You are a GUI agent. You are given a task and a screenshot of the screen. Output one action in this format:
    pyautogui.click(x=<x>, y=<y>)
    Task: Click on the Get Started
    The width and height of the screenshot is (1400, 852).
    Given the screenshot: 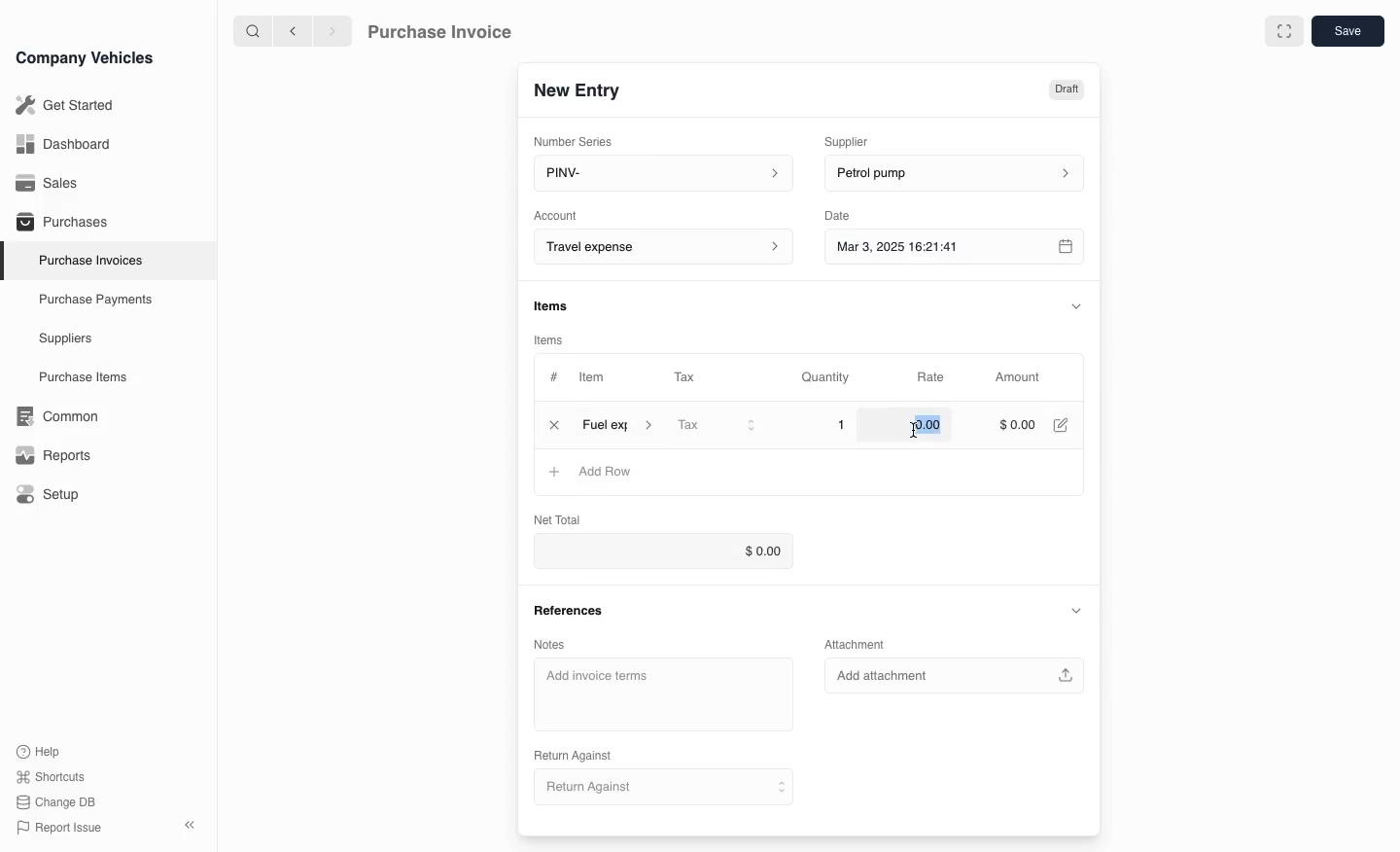 What is the action you would take?
    pyautogui.click(x=61, y=105)
    